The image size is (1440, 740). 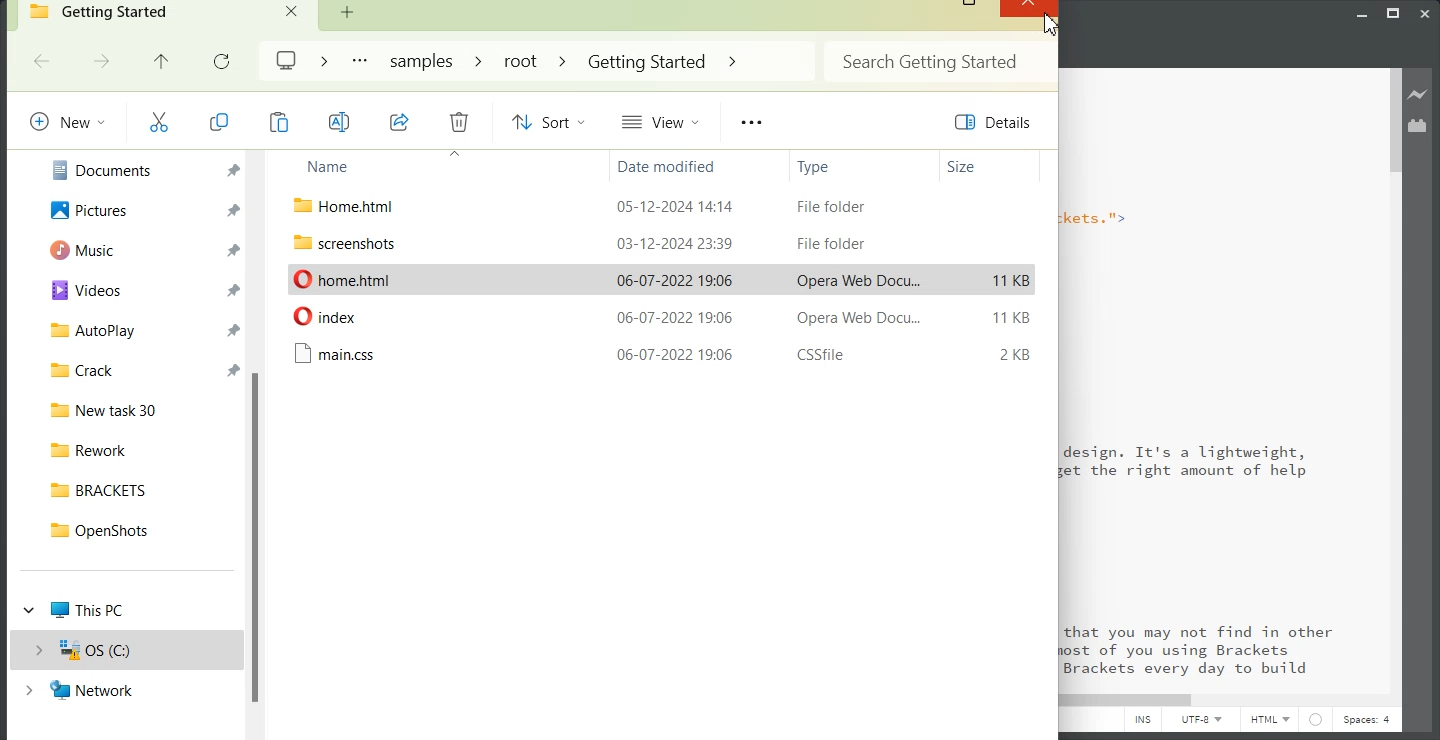 I want to click on Search Bar, so click(x=938, y=60).